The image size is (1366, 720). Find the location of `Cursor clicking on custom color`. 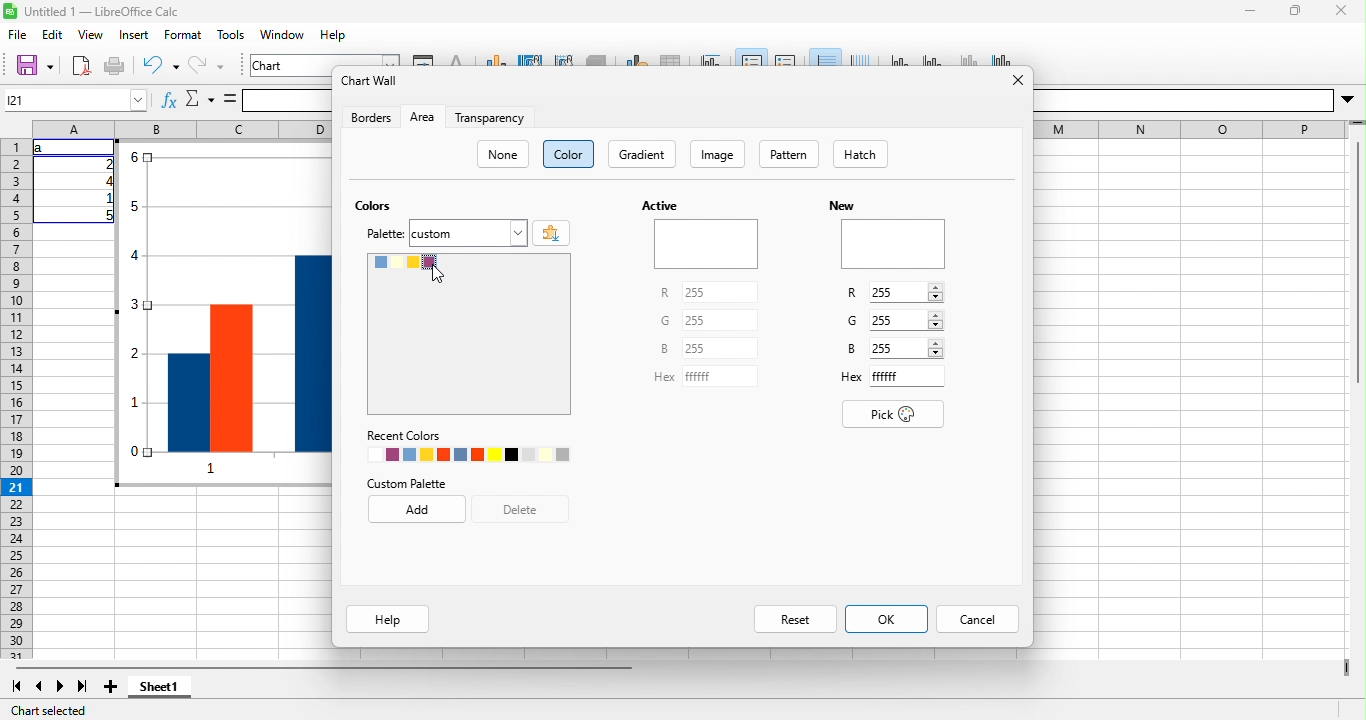

Cursor clicking on custom color is located at coordinates (438, 274).